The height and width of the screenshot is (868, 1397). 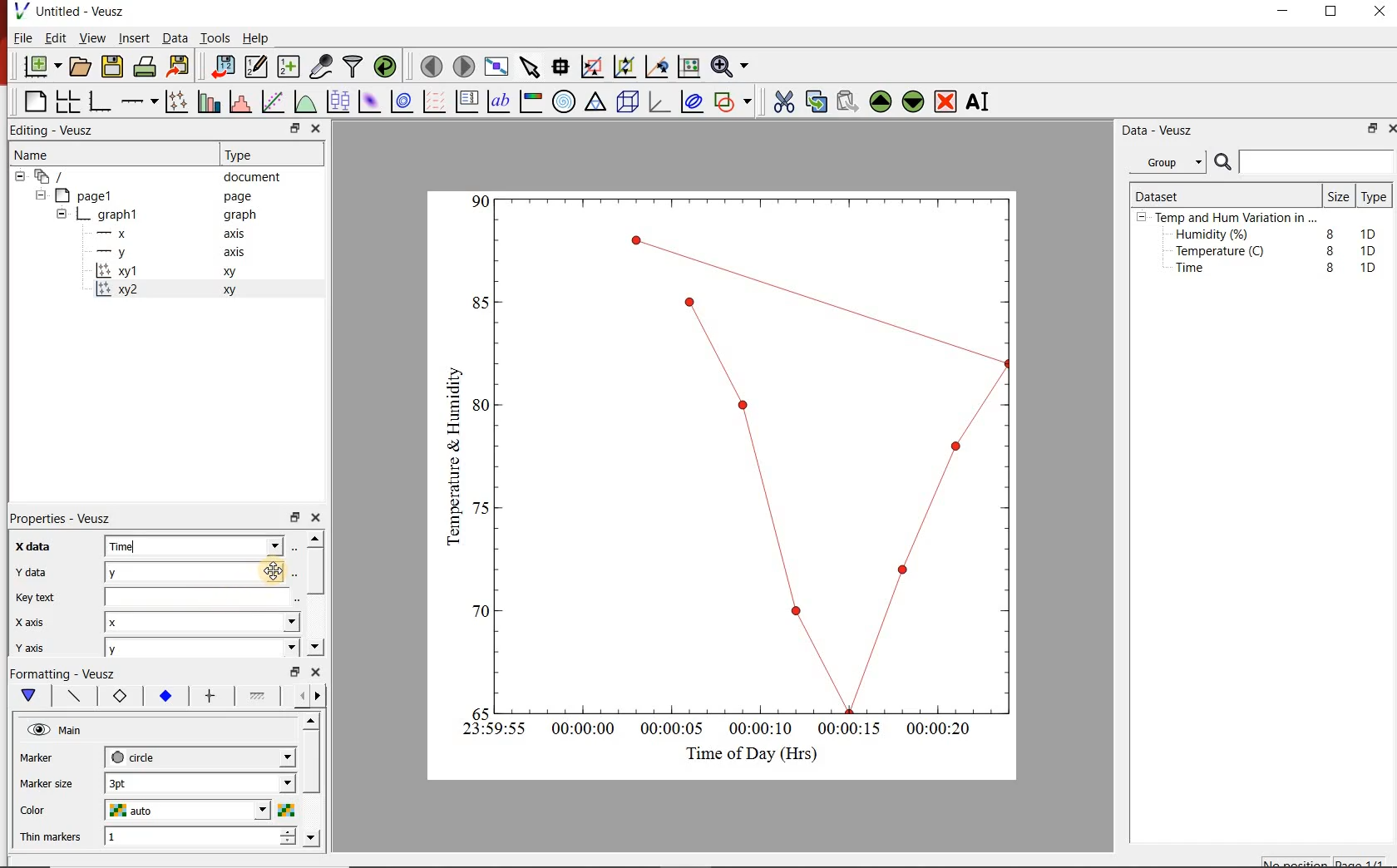 I want to click on plot a vector field, so click(x=435, y=101).